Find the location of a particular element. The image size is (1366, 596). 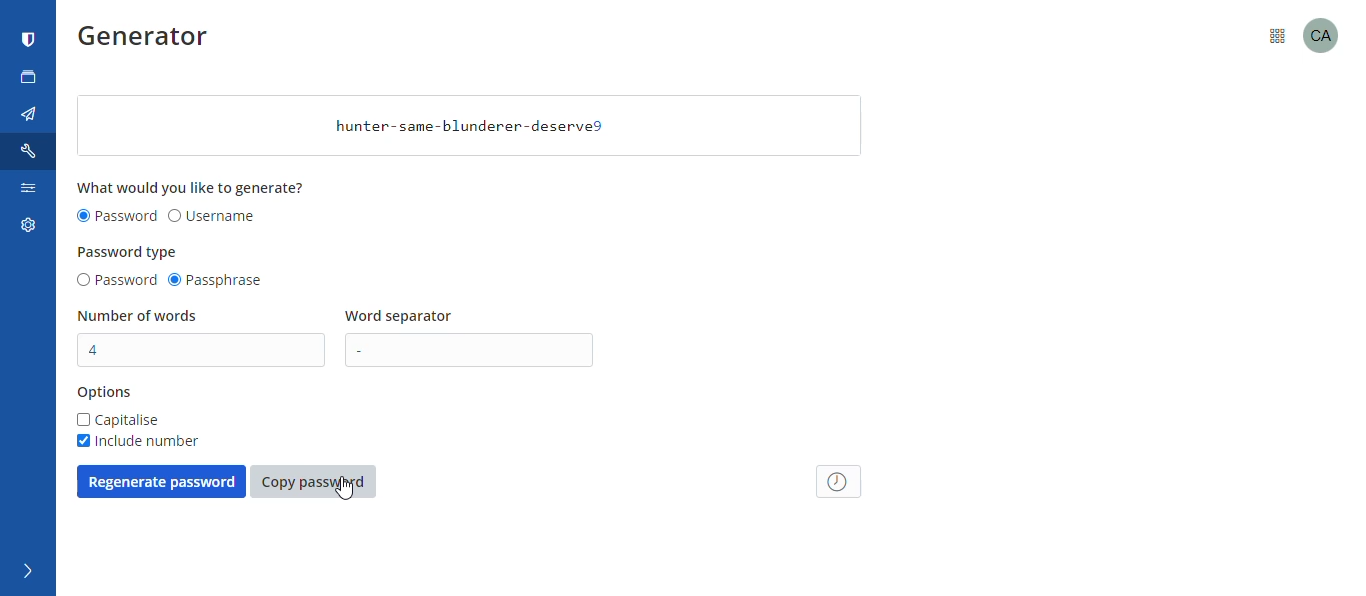

settings is located at coordinates (25, 229).